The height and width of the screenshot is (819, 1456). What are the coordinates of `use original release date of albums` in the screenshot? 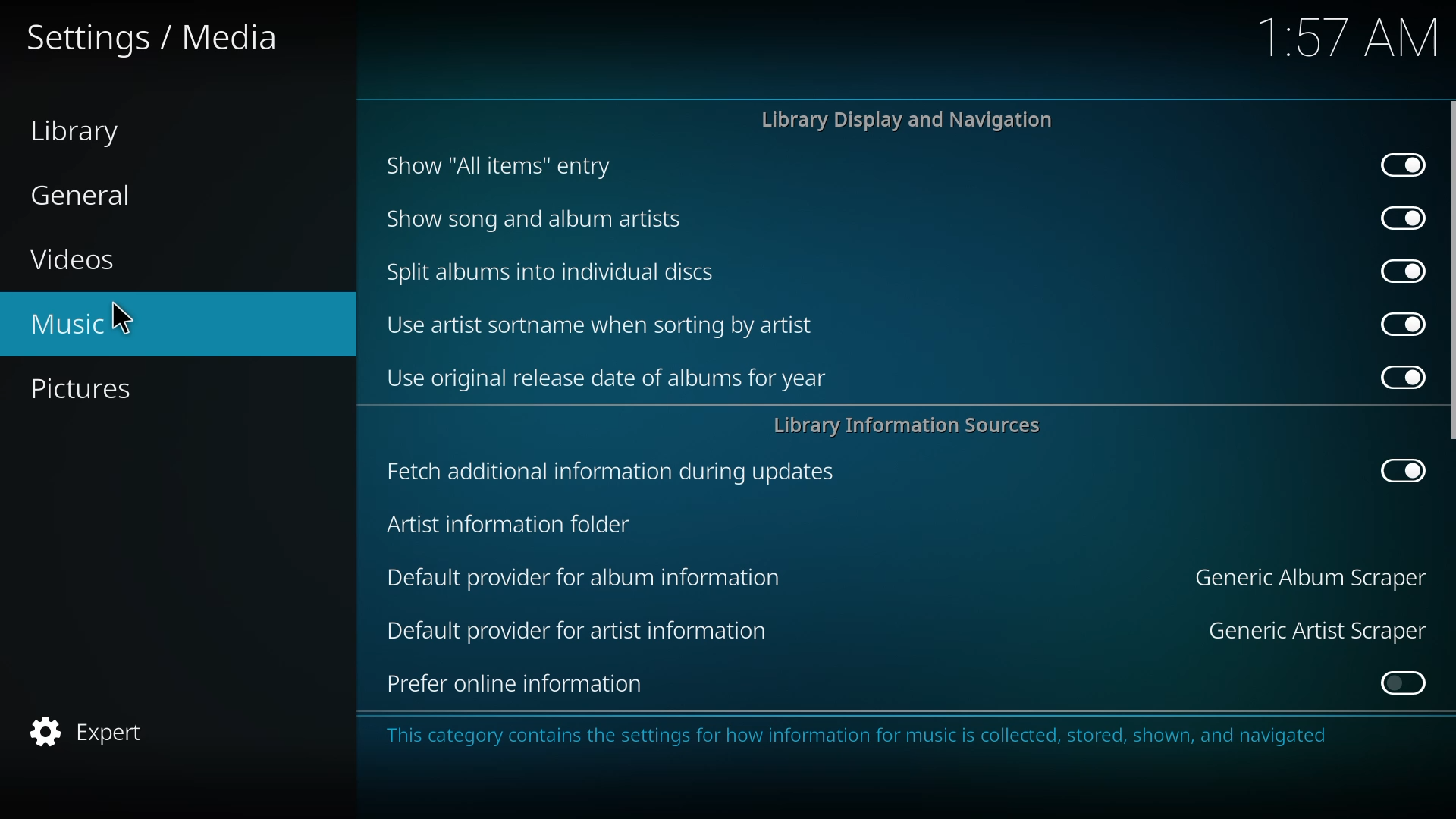 It's located at (607, 381).